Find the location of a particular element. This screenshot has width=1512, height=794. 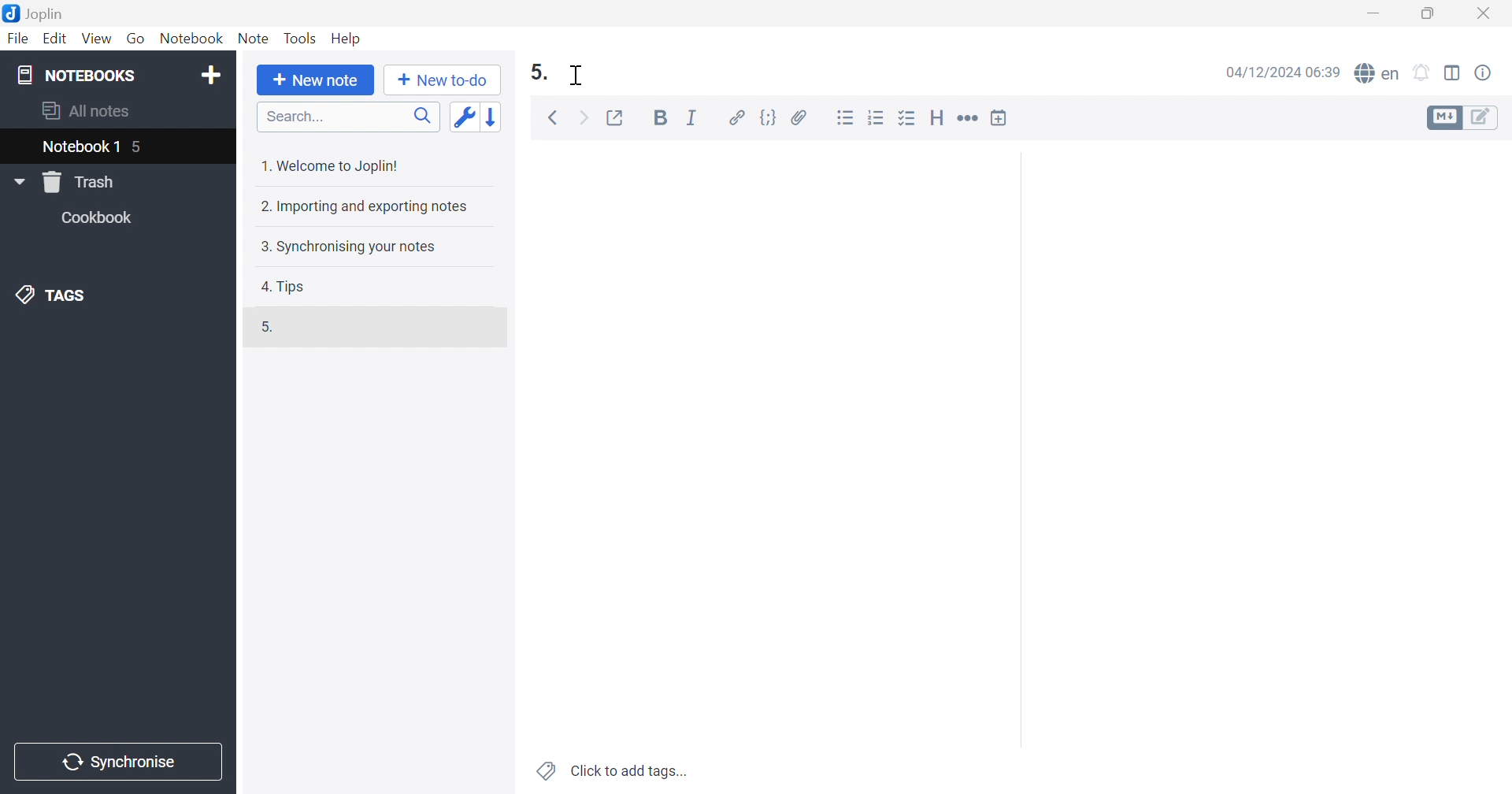

New note is located at coordinates (316, 80).